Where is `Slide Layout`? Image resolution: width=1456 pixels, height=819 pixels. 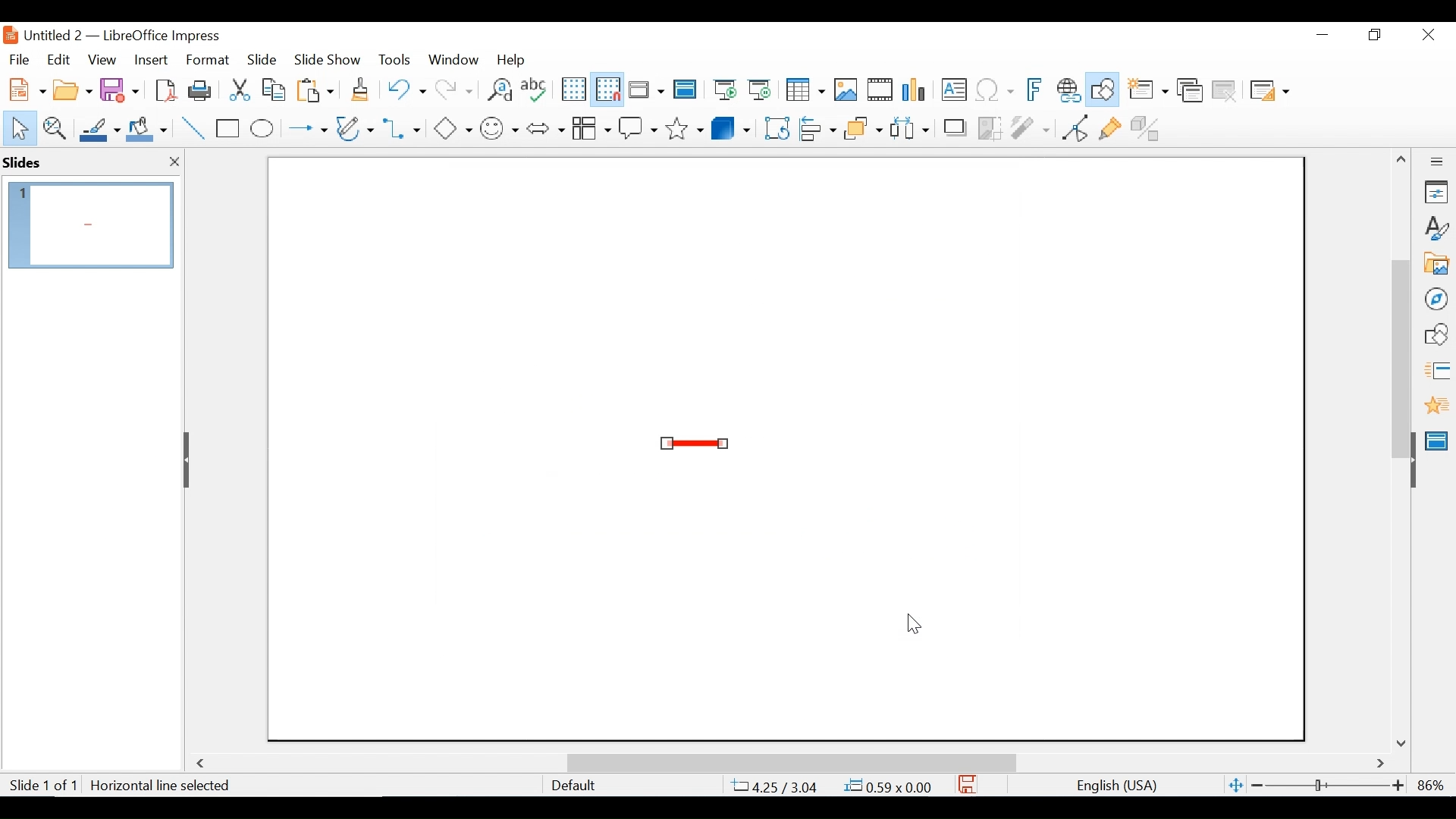
Slide Layout is located at coordinates (1268, 92).